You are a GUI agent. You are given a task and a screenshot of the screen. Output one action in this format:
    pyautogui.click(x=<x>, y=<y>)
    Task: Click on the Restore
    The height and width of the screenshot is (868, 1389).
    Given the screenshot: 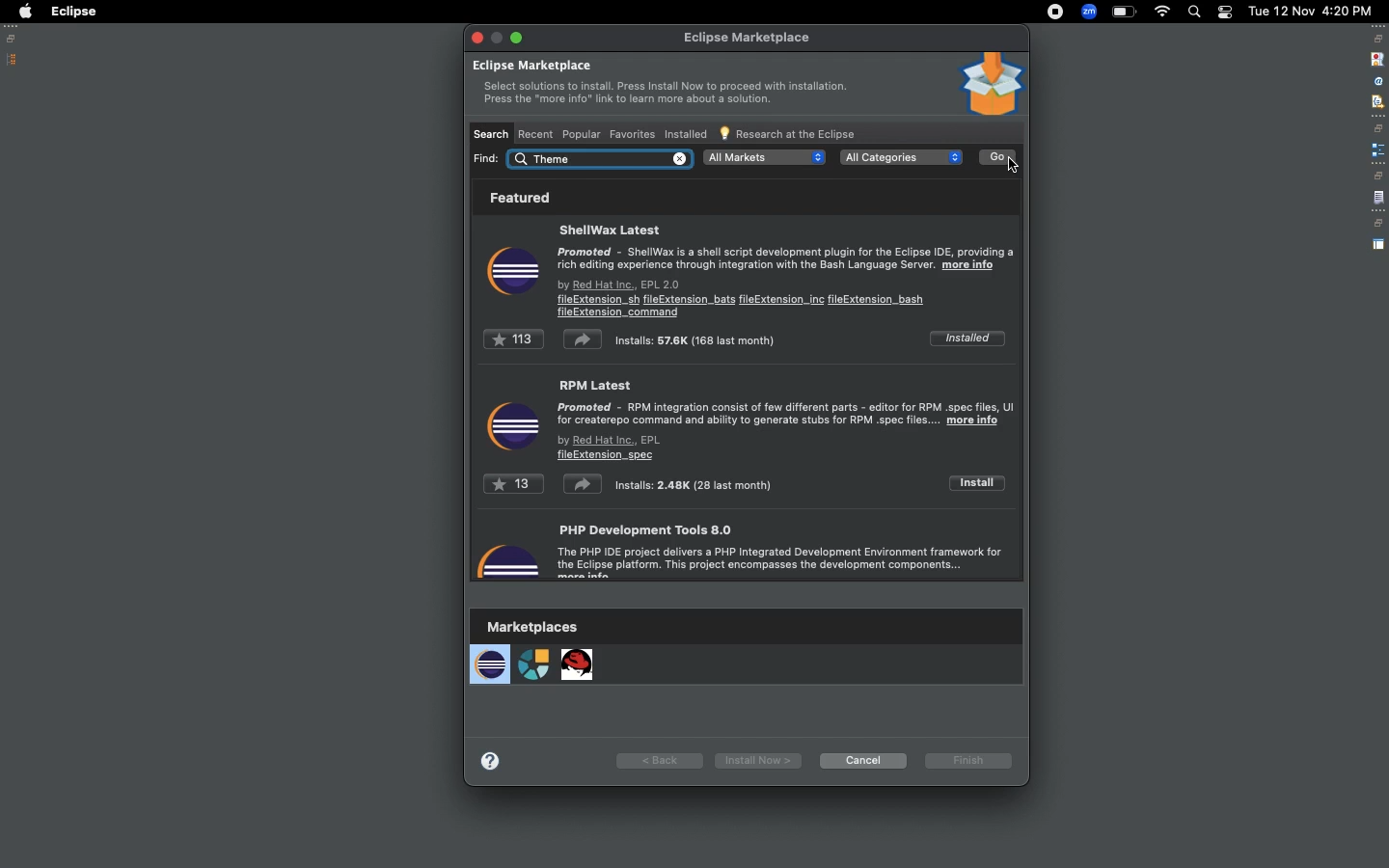 What is the action you would take?
    pyautogui.click(x=14, y=39)
    